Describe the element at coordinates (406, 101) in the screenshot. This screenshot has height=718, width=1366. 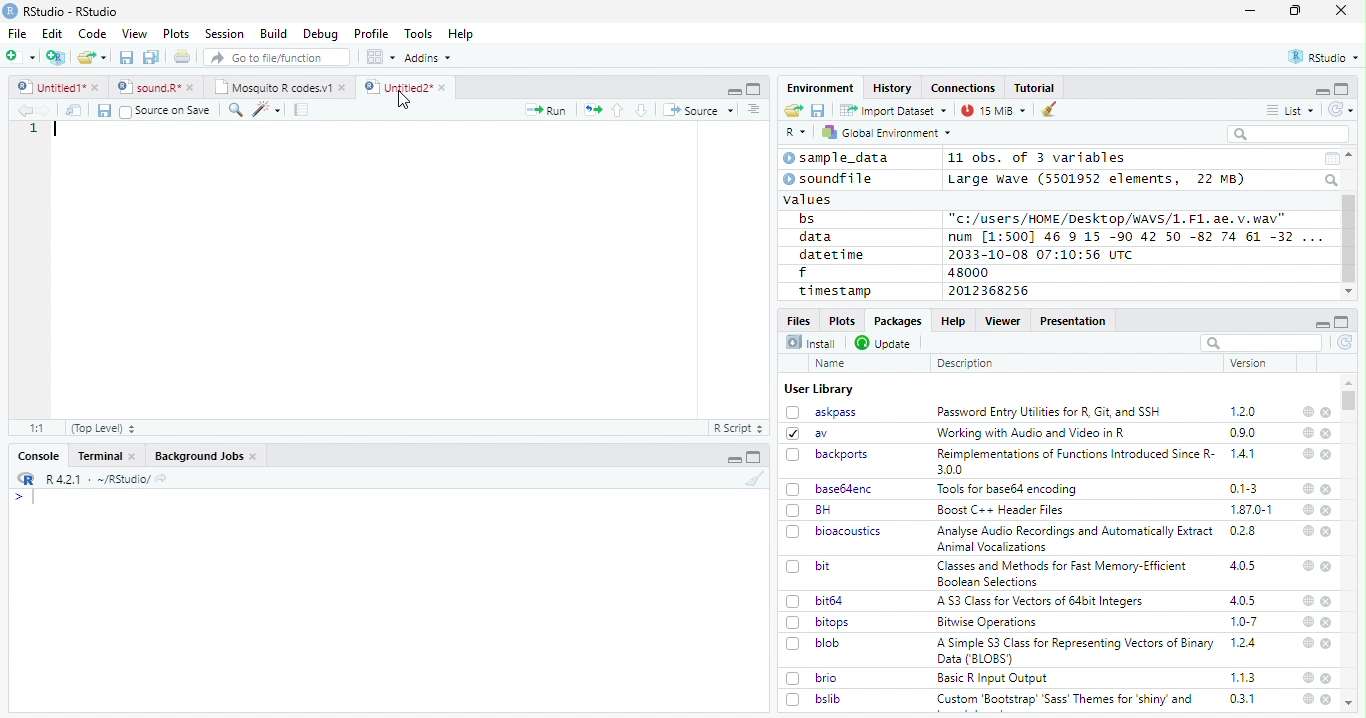
I see `cursor` at that location.